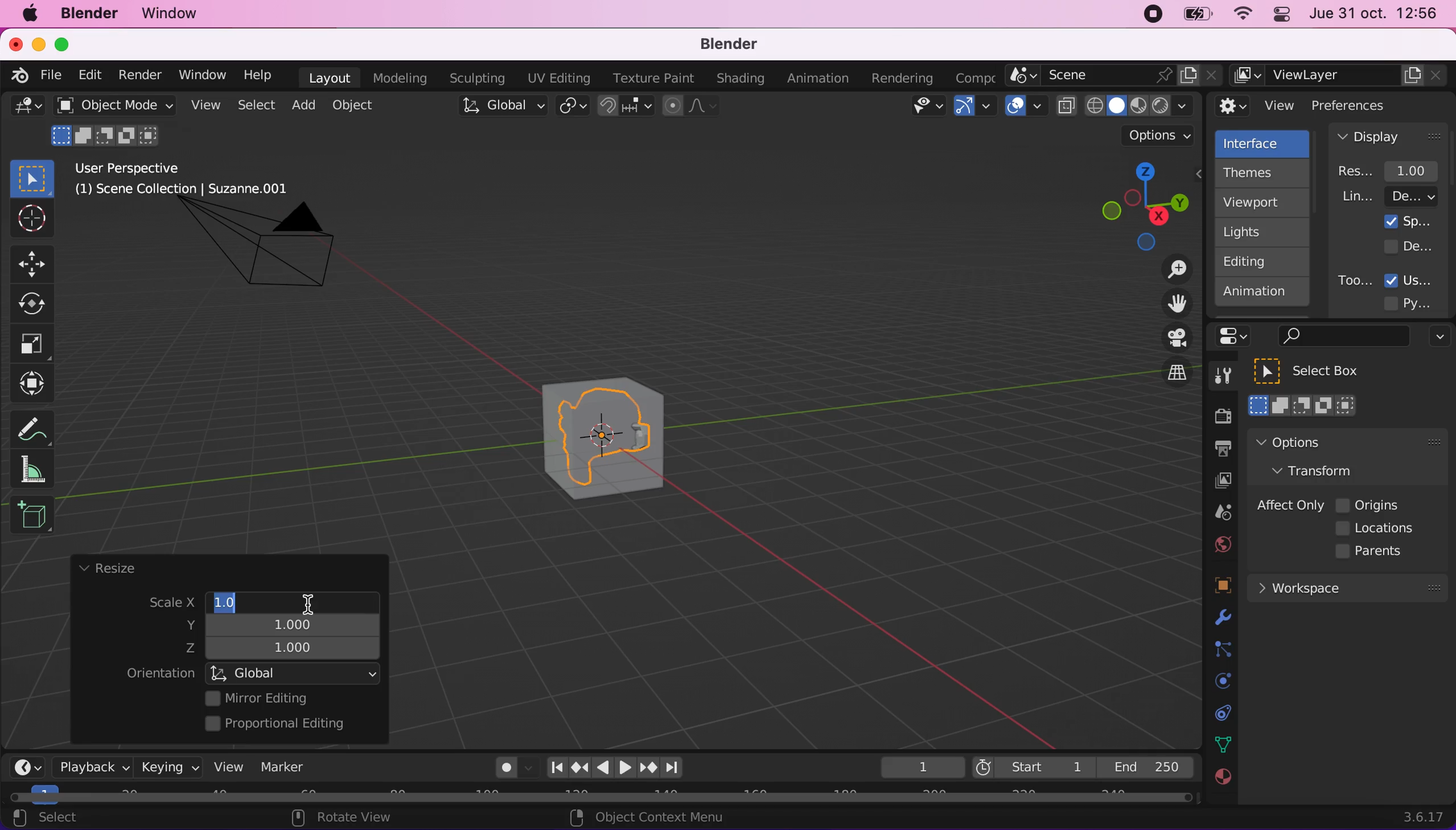 This screenshot has height=830, width=1456. Describe the element at coordinates (27, 109) in the screenshot. I see `general` at that location.